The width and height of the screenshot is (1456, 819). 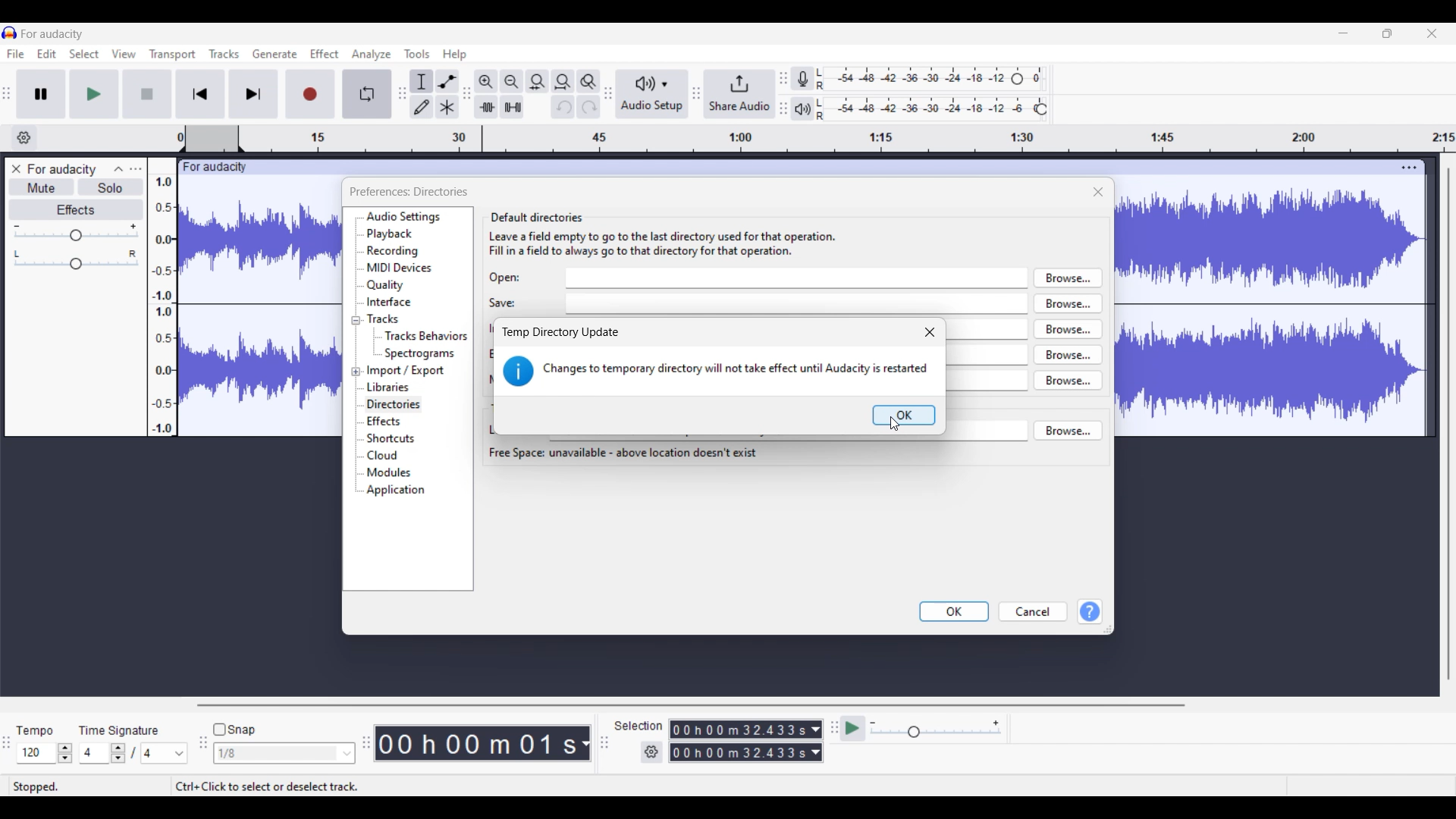 I want to click on Input tempo, so click(x=36, y=753).